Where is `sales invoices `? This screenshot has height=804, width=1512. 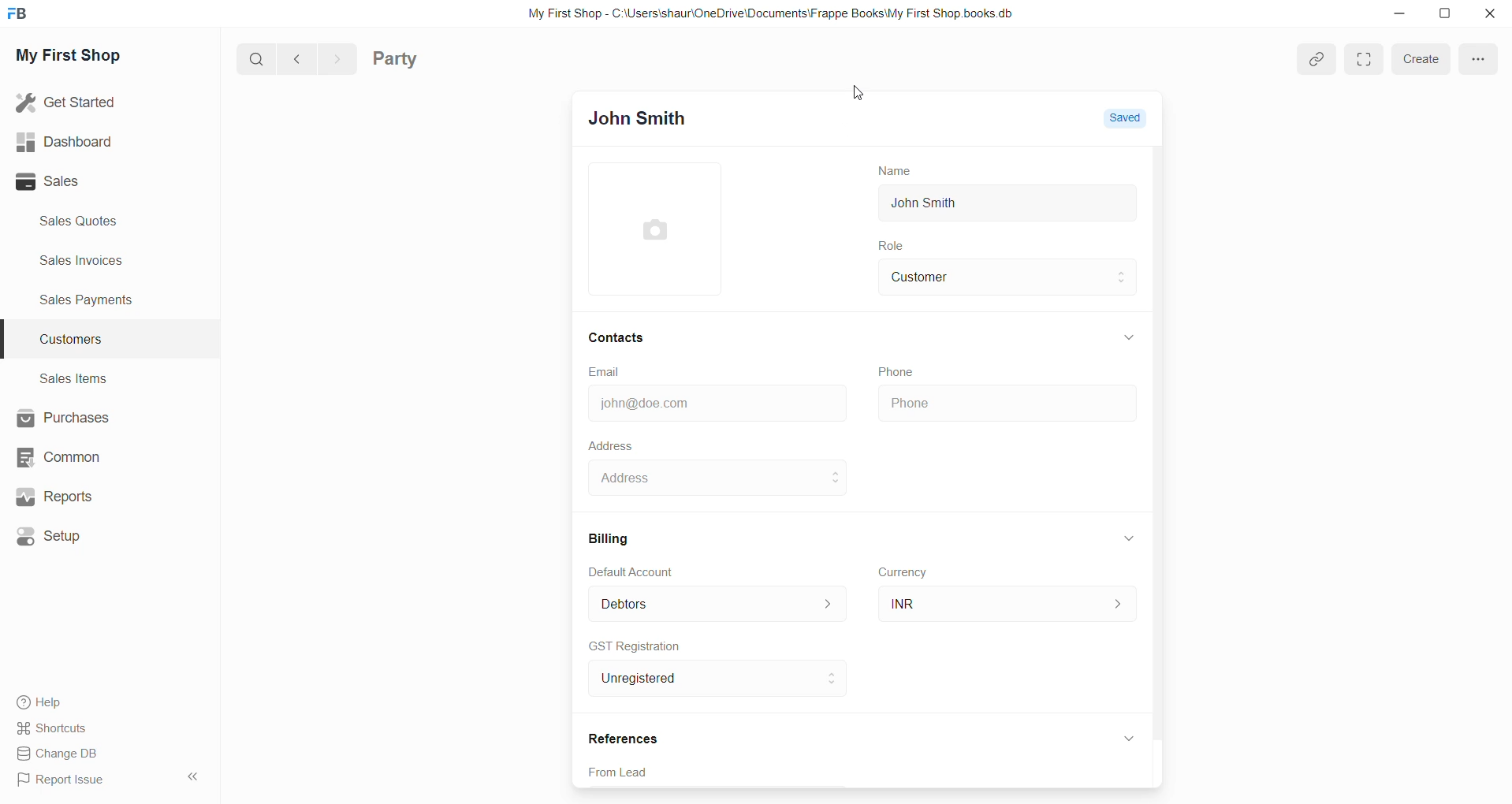 sales invoices  is located at coordinates (80, 262).